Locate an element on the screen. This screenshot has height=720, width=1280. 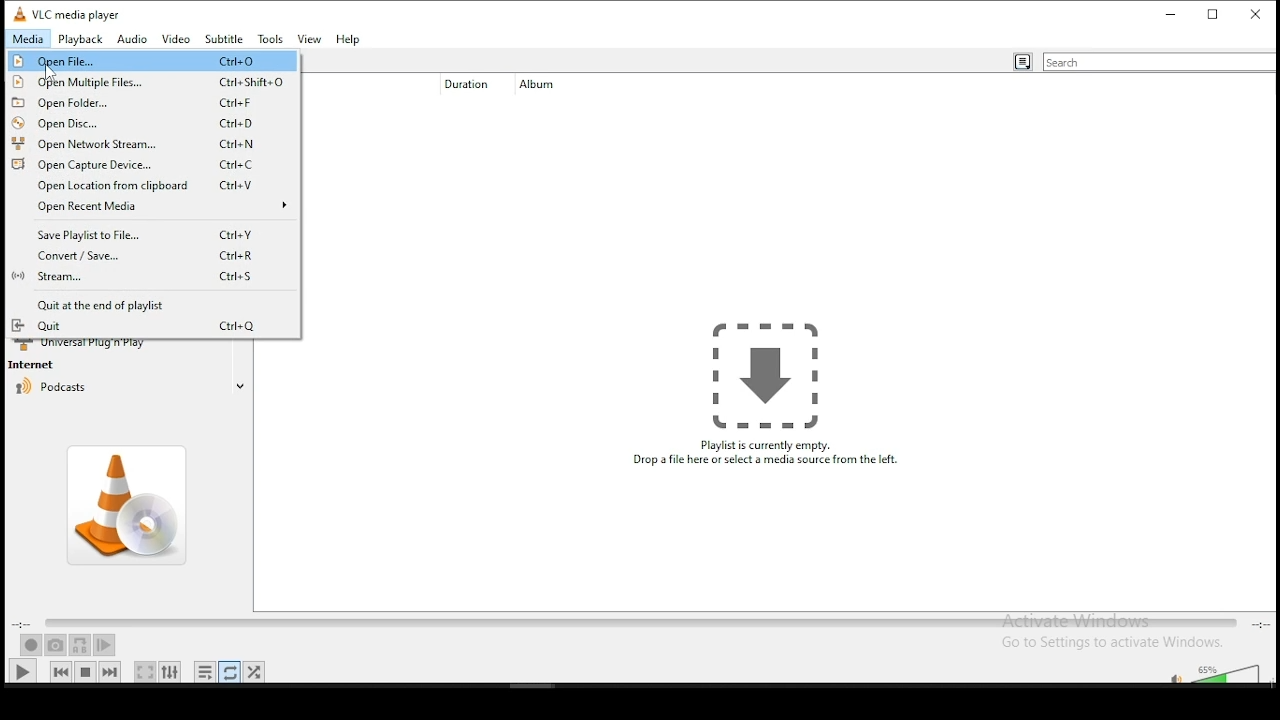
seek bar is located at coordinates (640, 624).